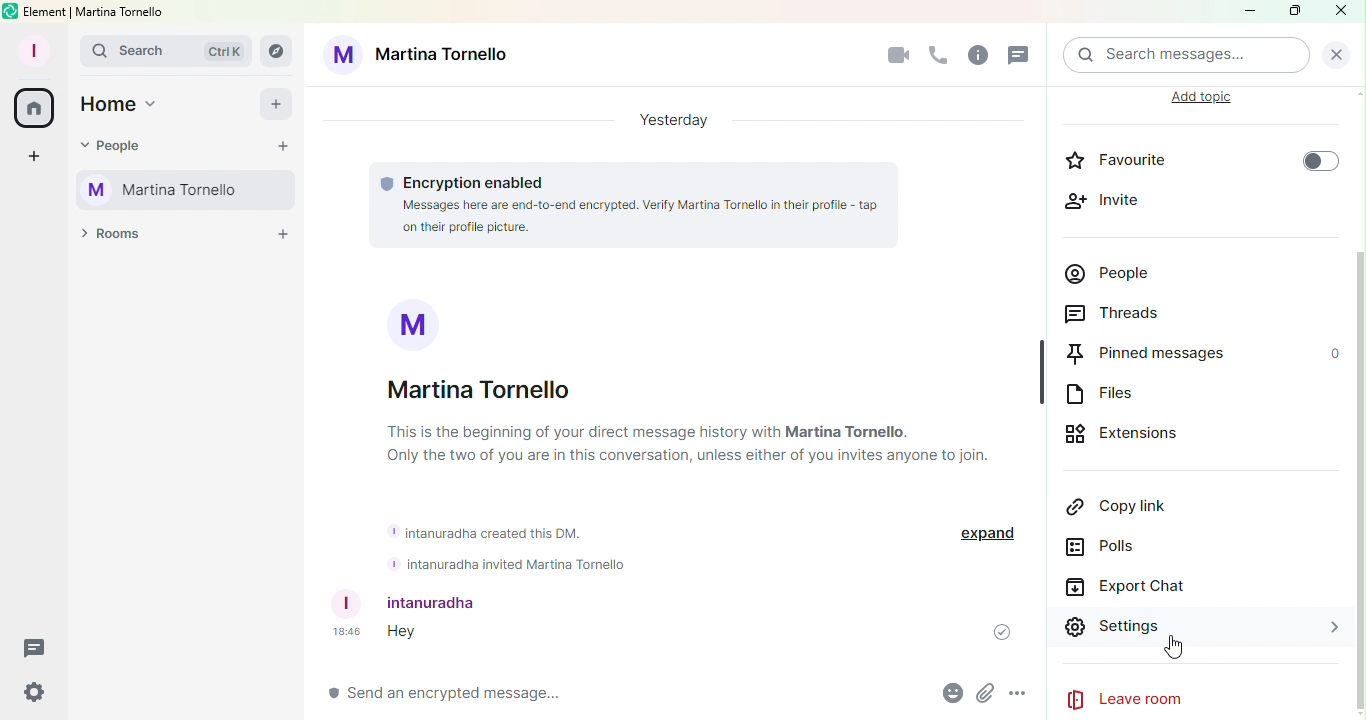 The height and width of the screenshot is (720, 1366). What do you see at coordinates (952, 693) in the screenshot?
I see `Emoji` at bounding box center [952, 693].